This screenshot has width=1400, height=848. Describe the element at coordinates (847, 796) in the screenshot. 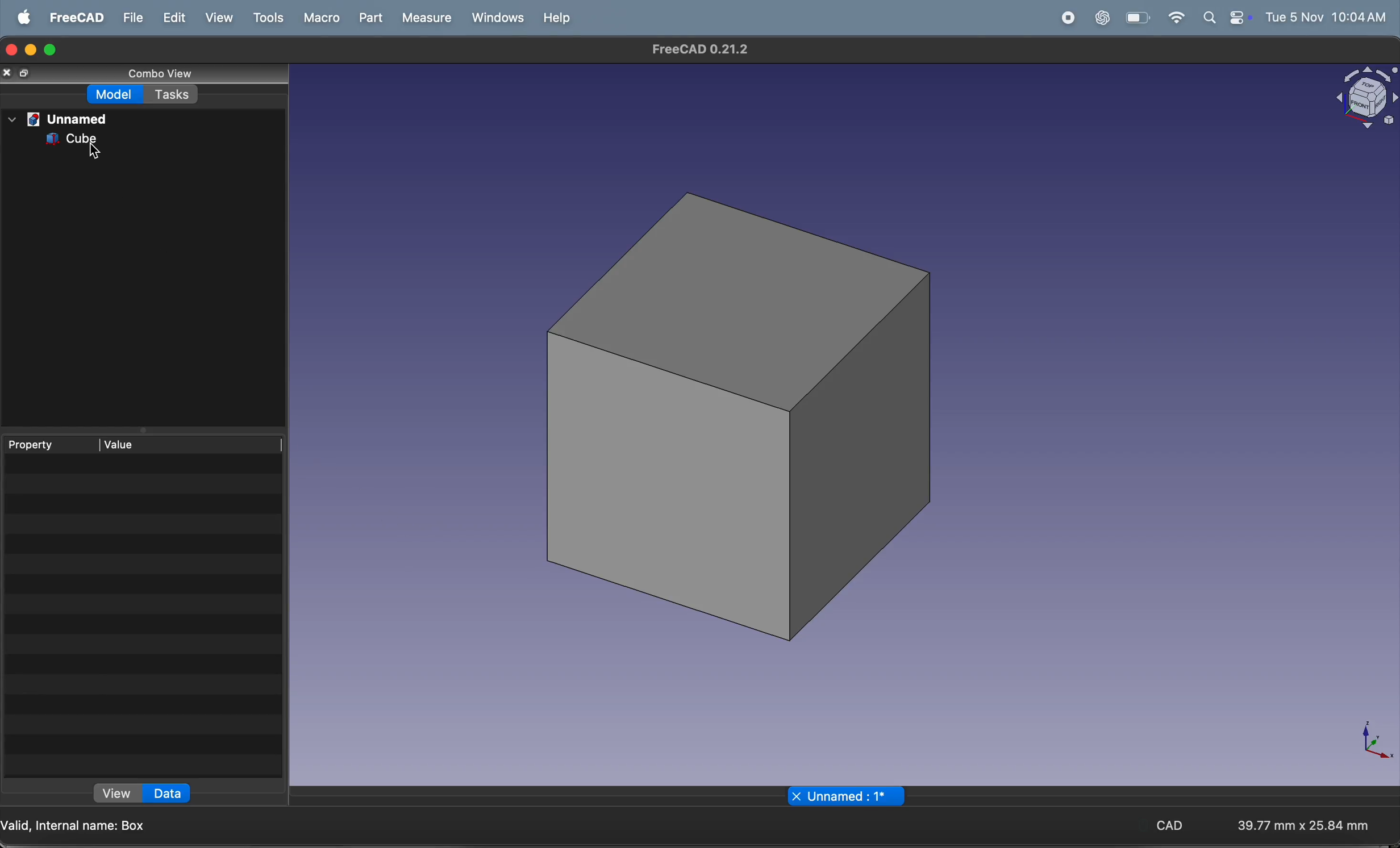

I see `unamed` at that location.